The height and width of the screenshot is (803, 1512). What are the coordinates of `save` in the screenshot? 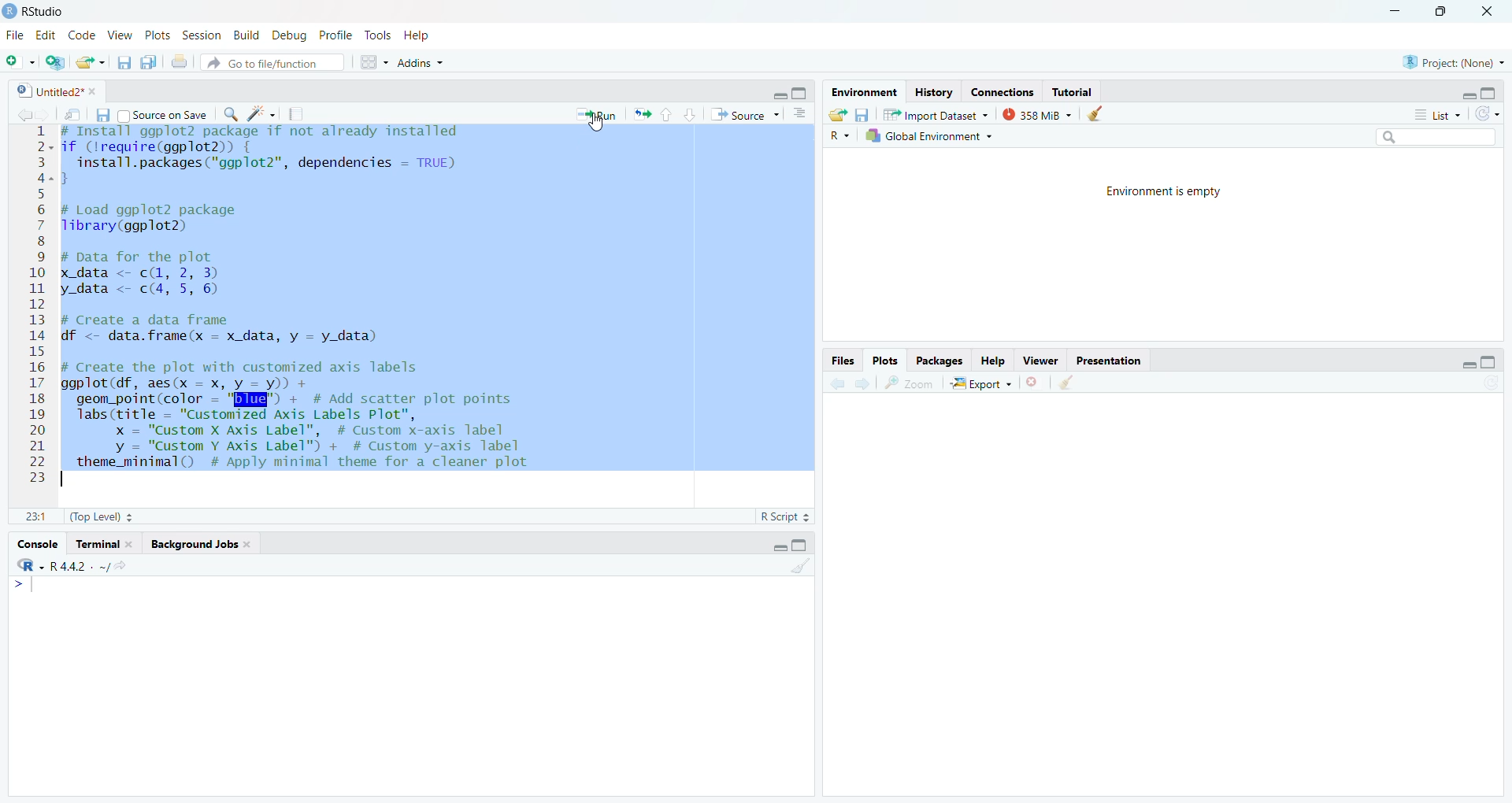 It's located at (106, 116).